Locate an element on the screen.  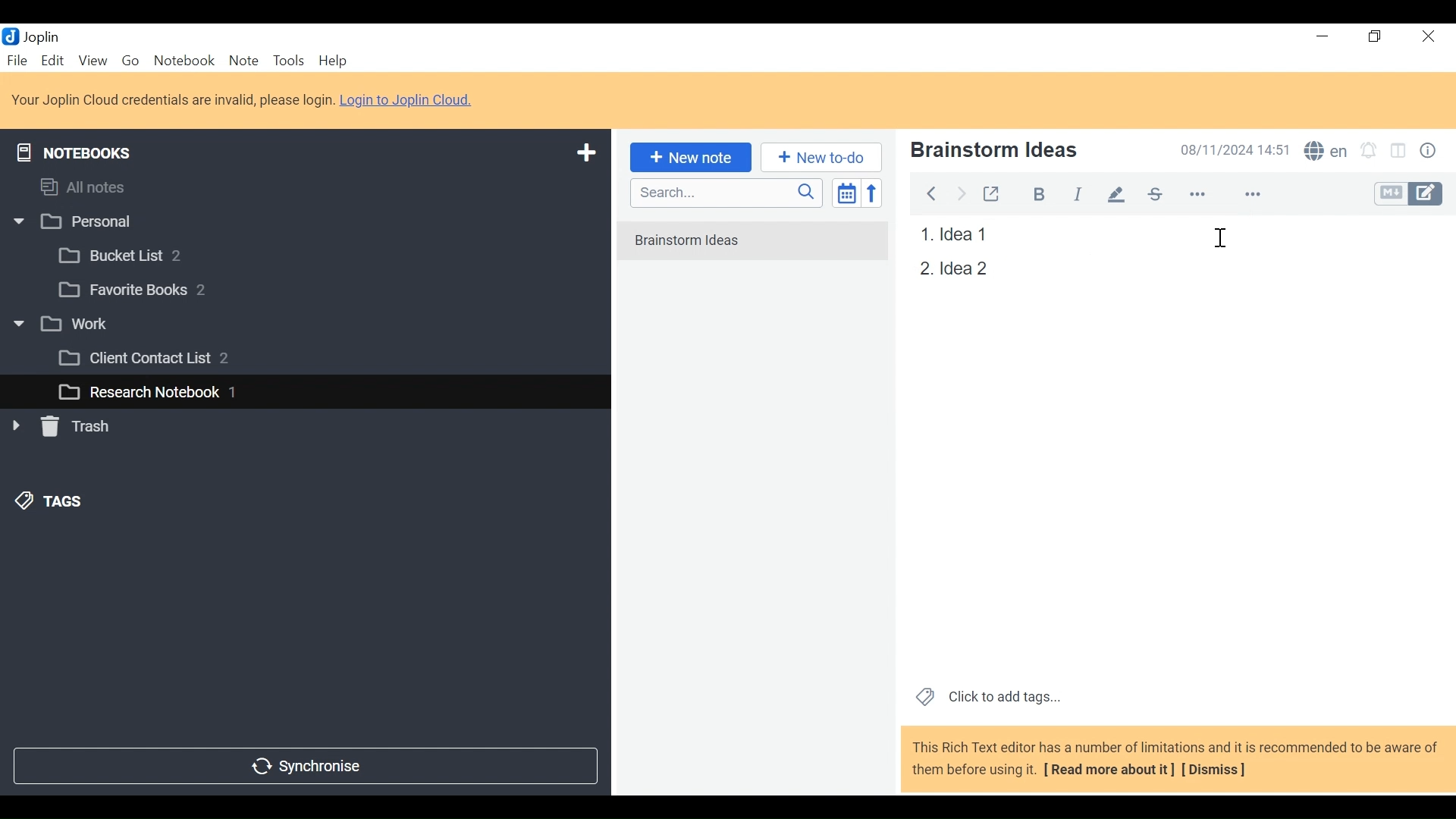
New note is located at coordinates (688, 156).